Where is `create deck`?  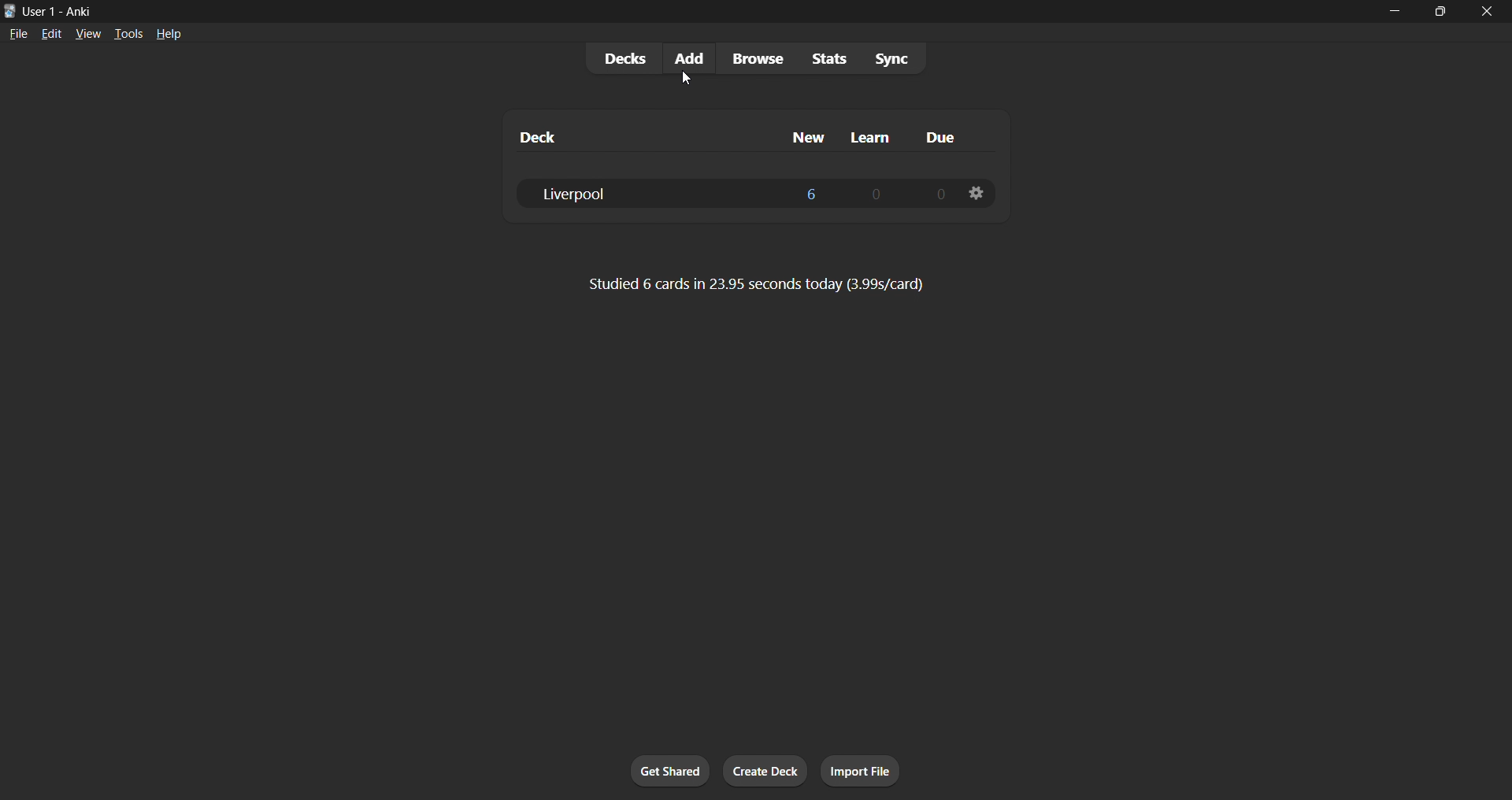
create deck is located at coordinates (765, 771).